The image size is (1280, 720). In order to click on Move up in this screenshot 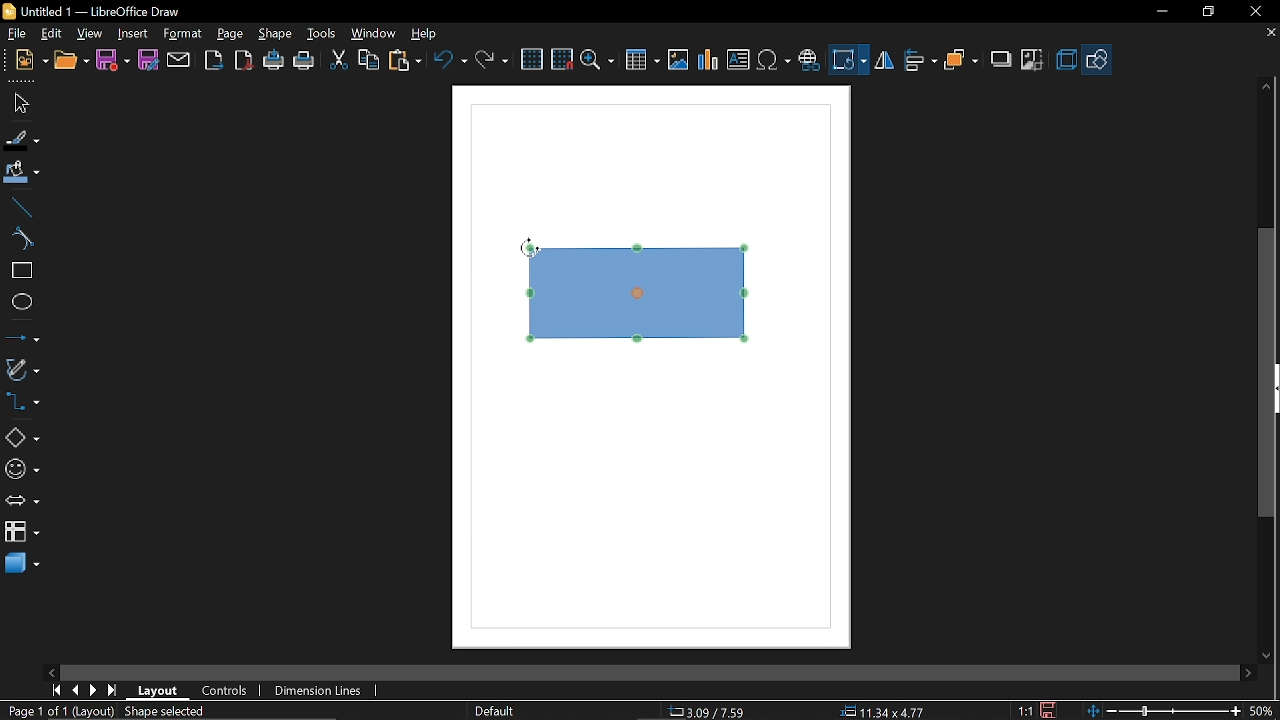, I will do `click(1268, 86)`.